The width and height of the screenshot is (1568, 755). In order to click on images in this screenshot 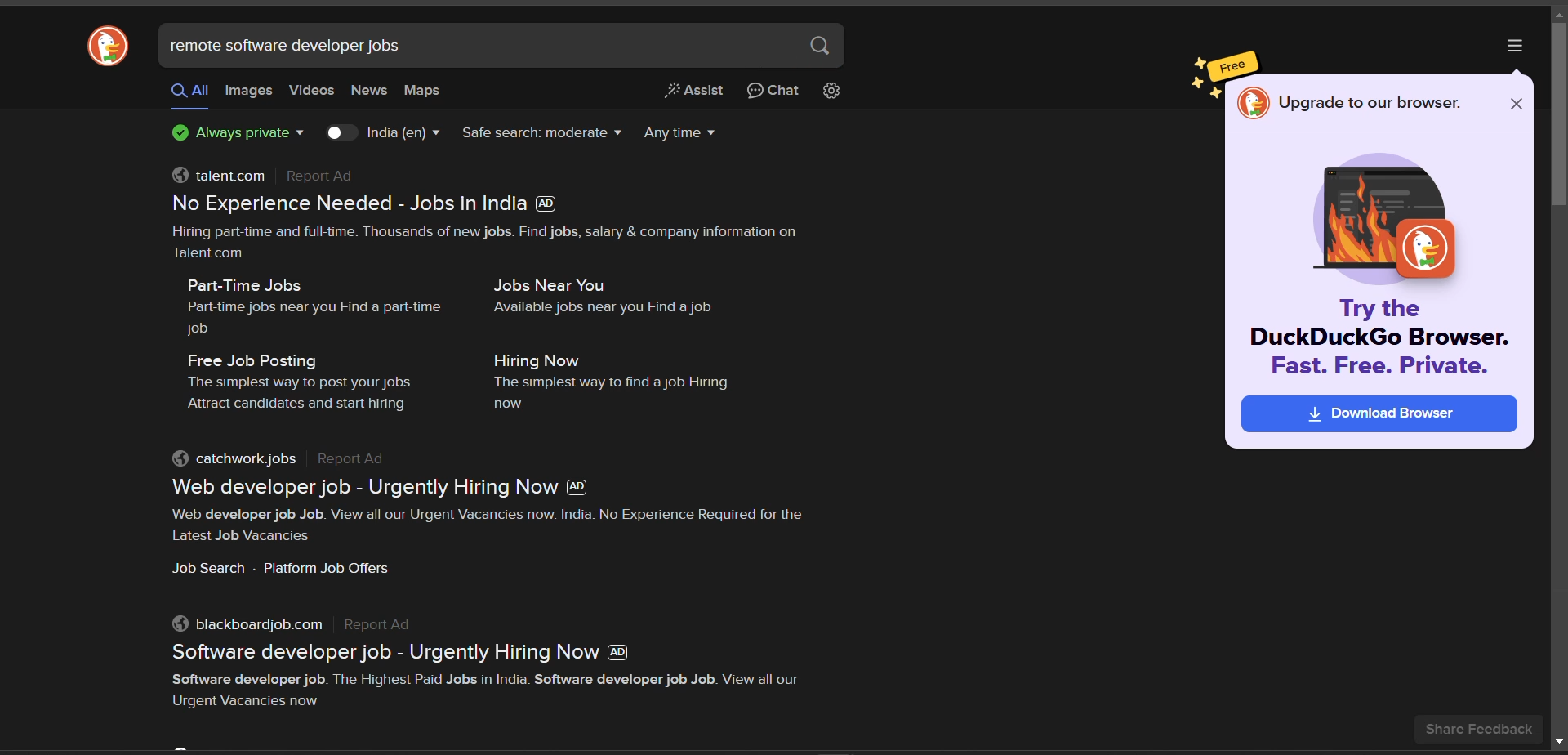, I will do `click(250, 92)`.